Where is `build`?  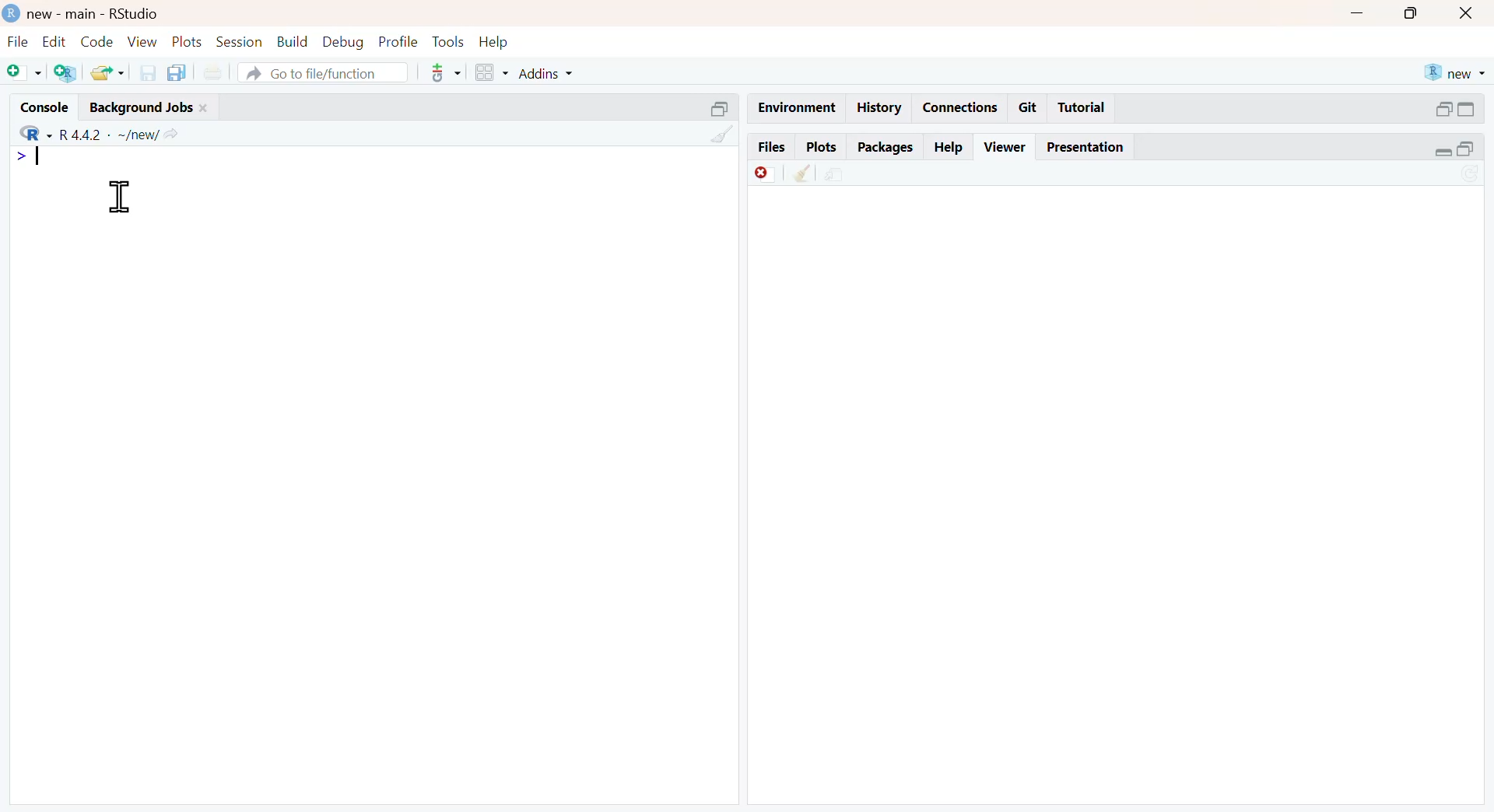
build is located at coordinates (293, 40).